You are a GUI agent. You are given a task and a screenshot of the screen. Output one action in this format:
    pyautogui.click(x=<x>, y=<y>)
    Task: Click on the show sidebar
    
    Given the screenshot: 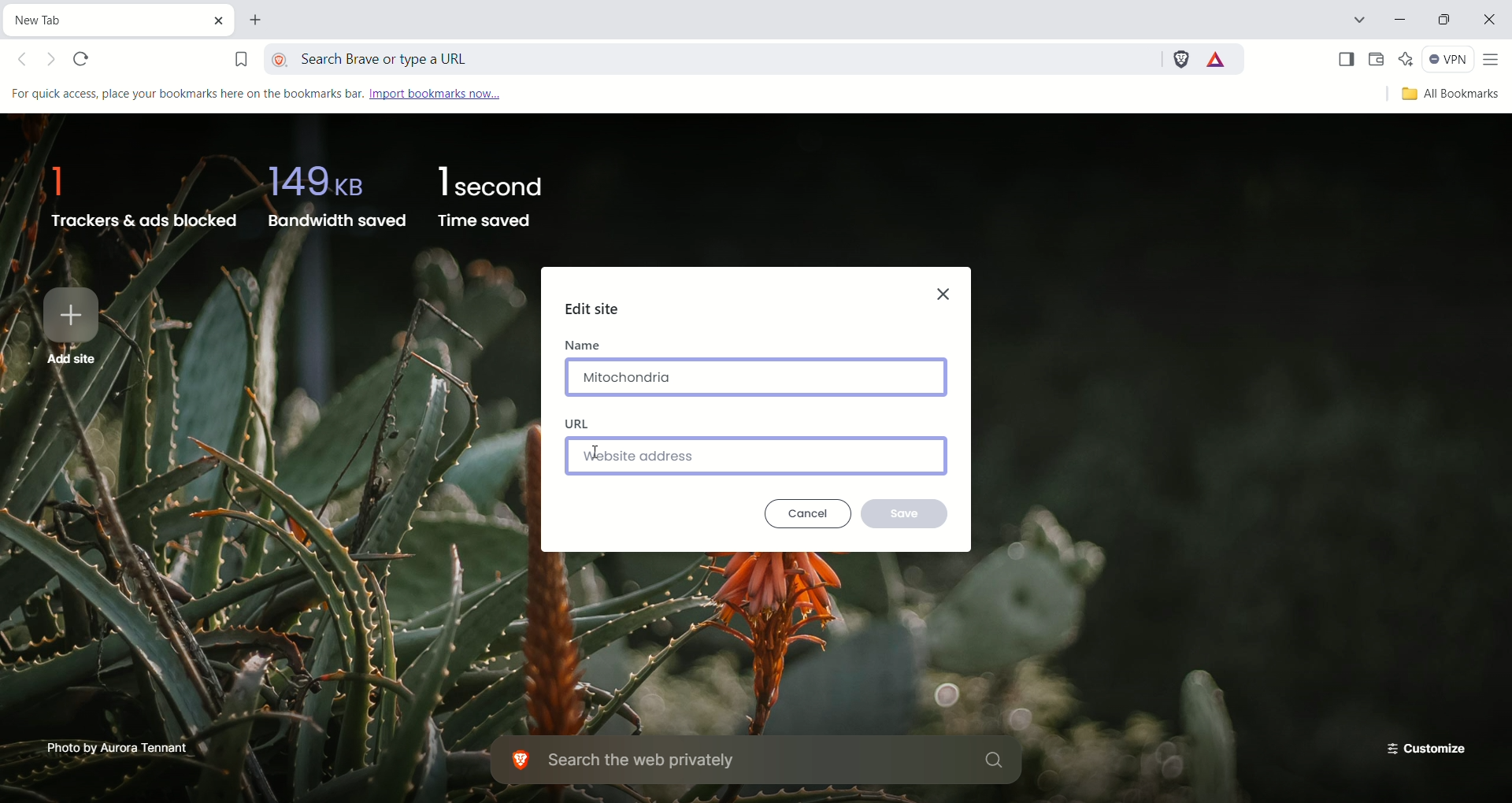 What is the action you would take?
    pyautogui.click(x=1344, y=60)
    